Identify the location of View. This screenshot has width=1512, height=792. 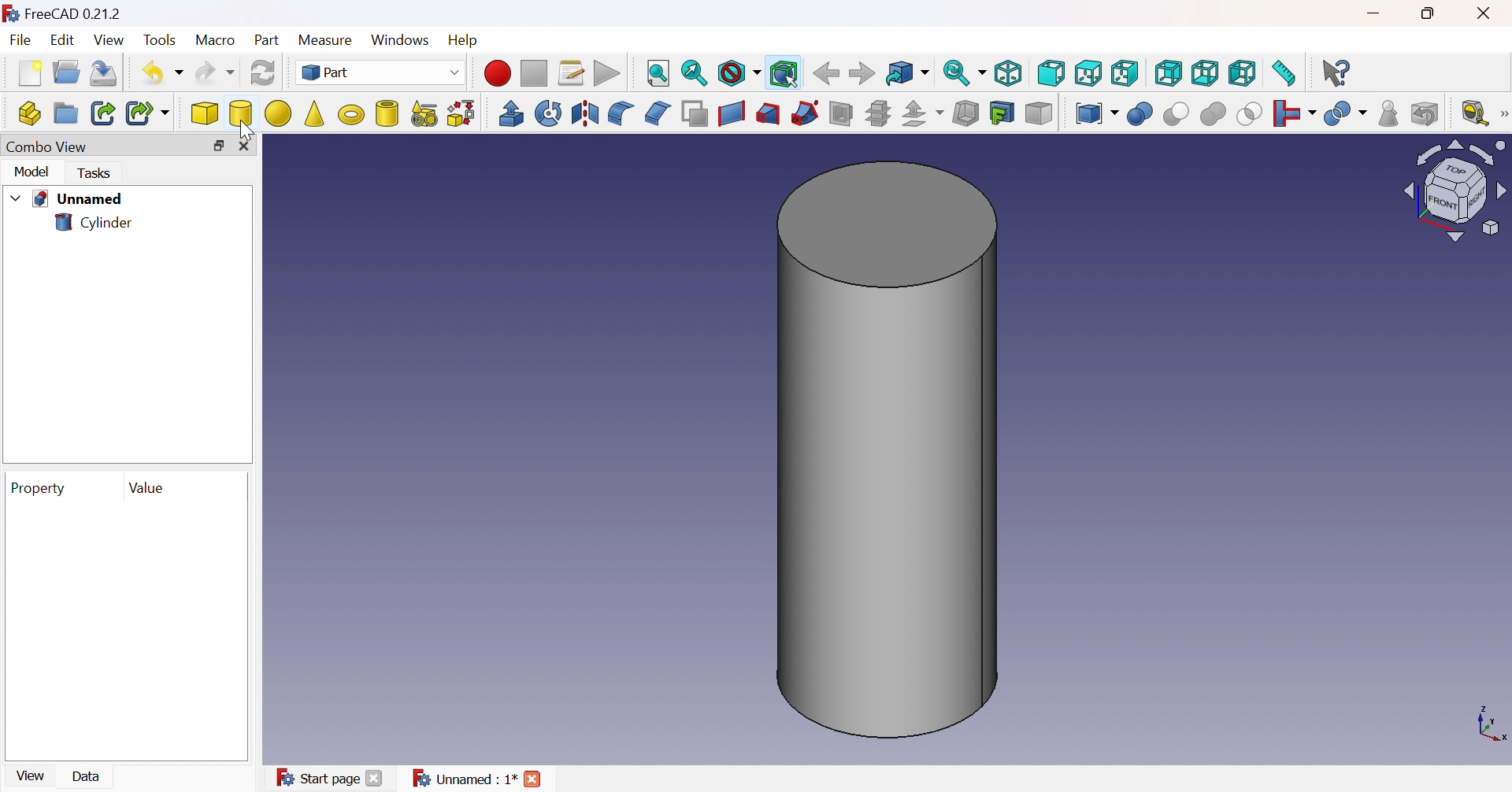
(111, 41).